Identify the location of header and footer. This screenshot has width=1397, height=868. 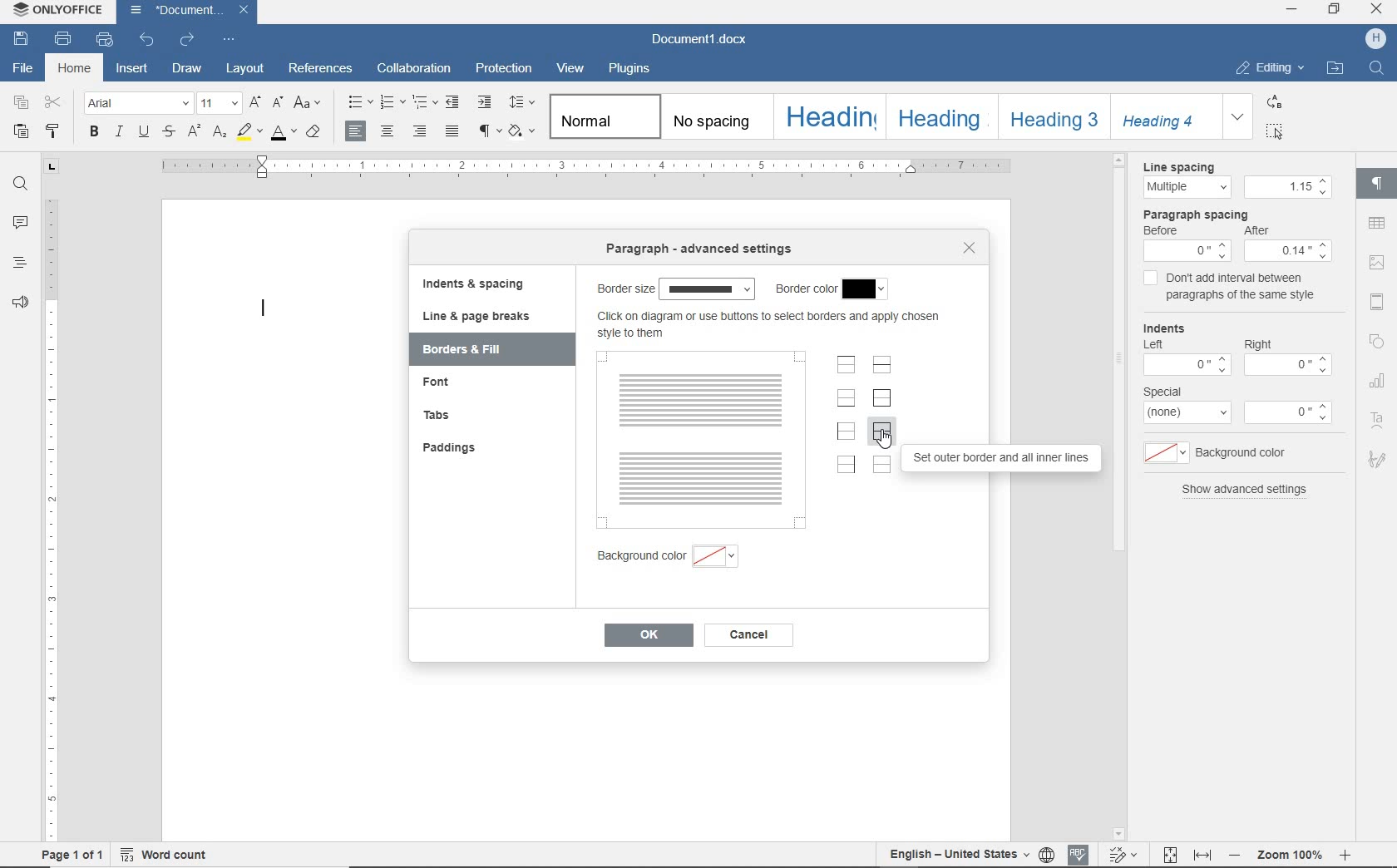
(1379, 303).